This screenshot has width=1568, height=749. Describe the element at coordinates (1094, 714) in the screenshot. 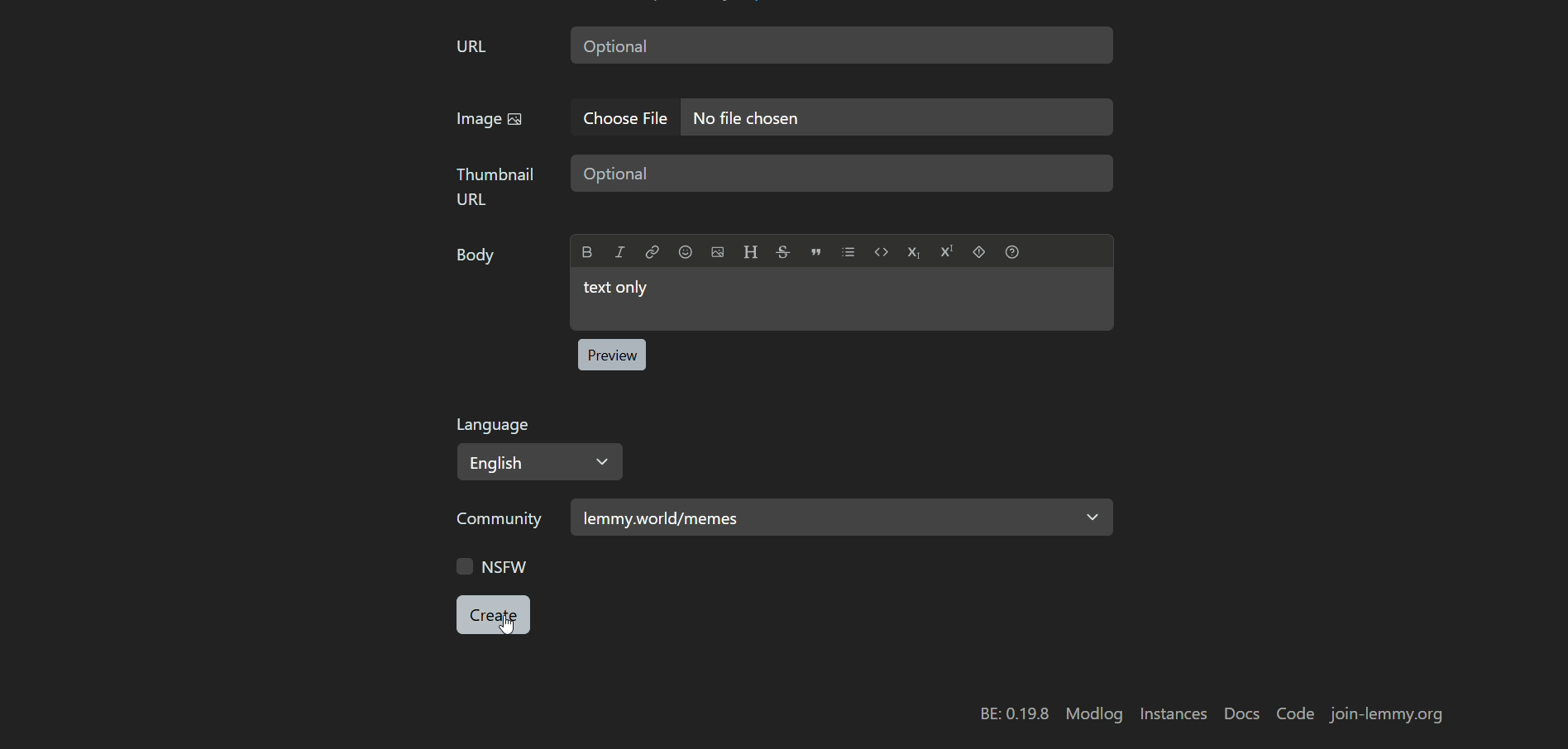

I see `modlog` at that location.